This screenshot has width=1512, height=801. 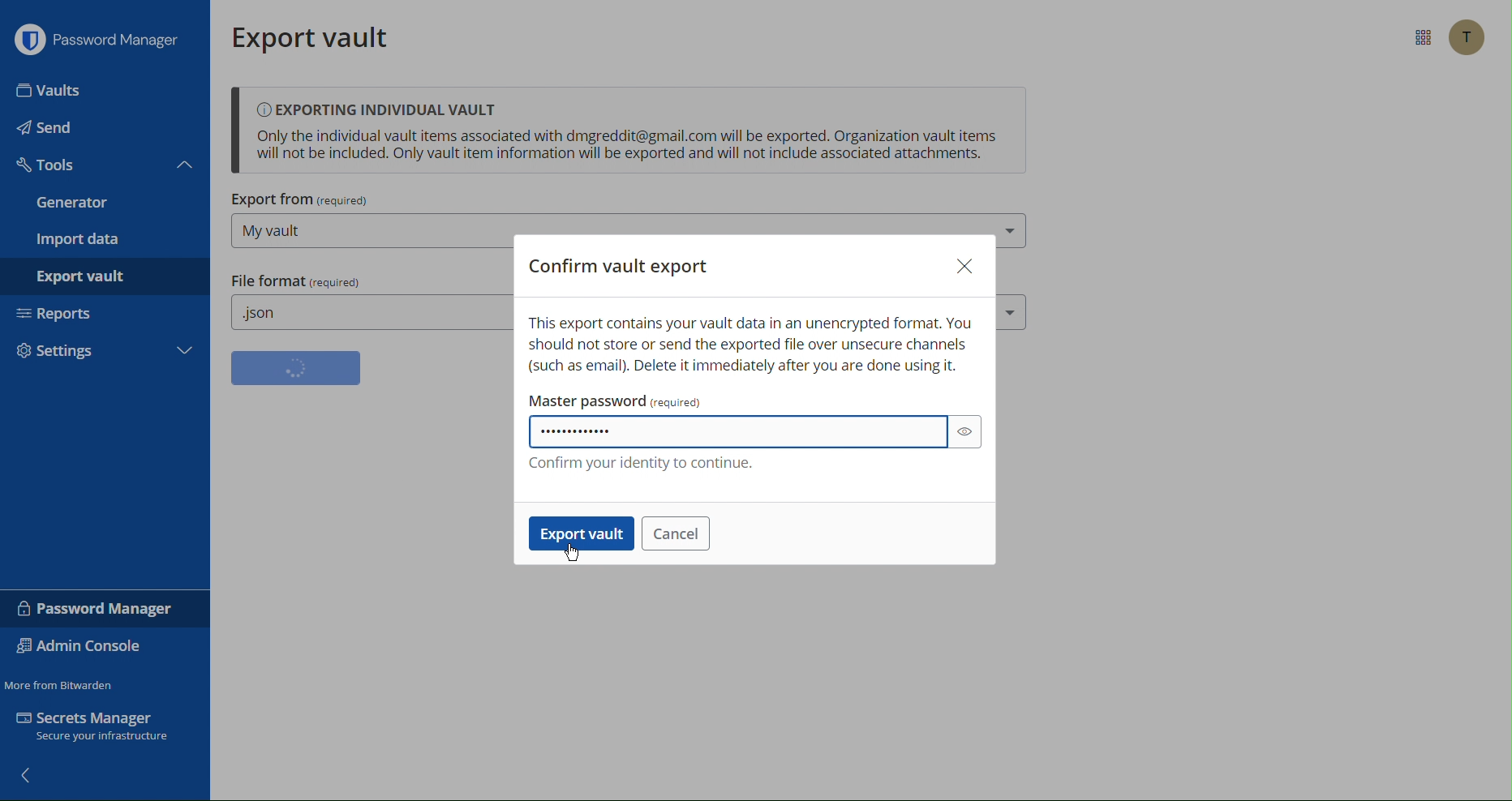 What do you see at coordinates (295, 281) in the screenshot?
I see `File Format` at bounding box center [295, 281].